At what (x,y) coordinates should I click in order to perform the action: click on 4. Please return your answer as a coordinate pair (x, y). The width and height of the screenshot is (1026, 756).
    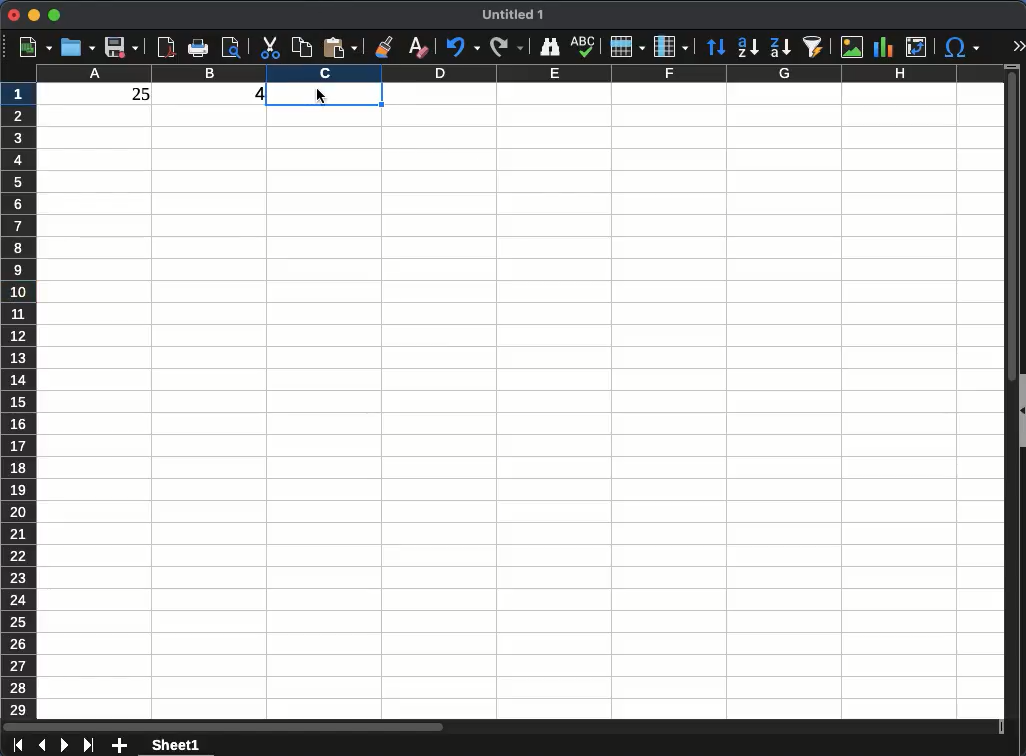
    Looking at the image, I should click on (247, 95).